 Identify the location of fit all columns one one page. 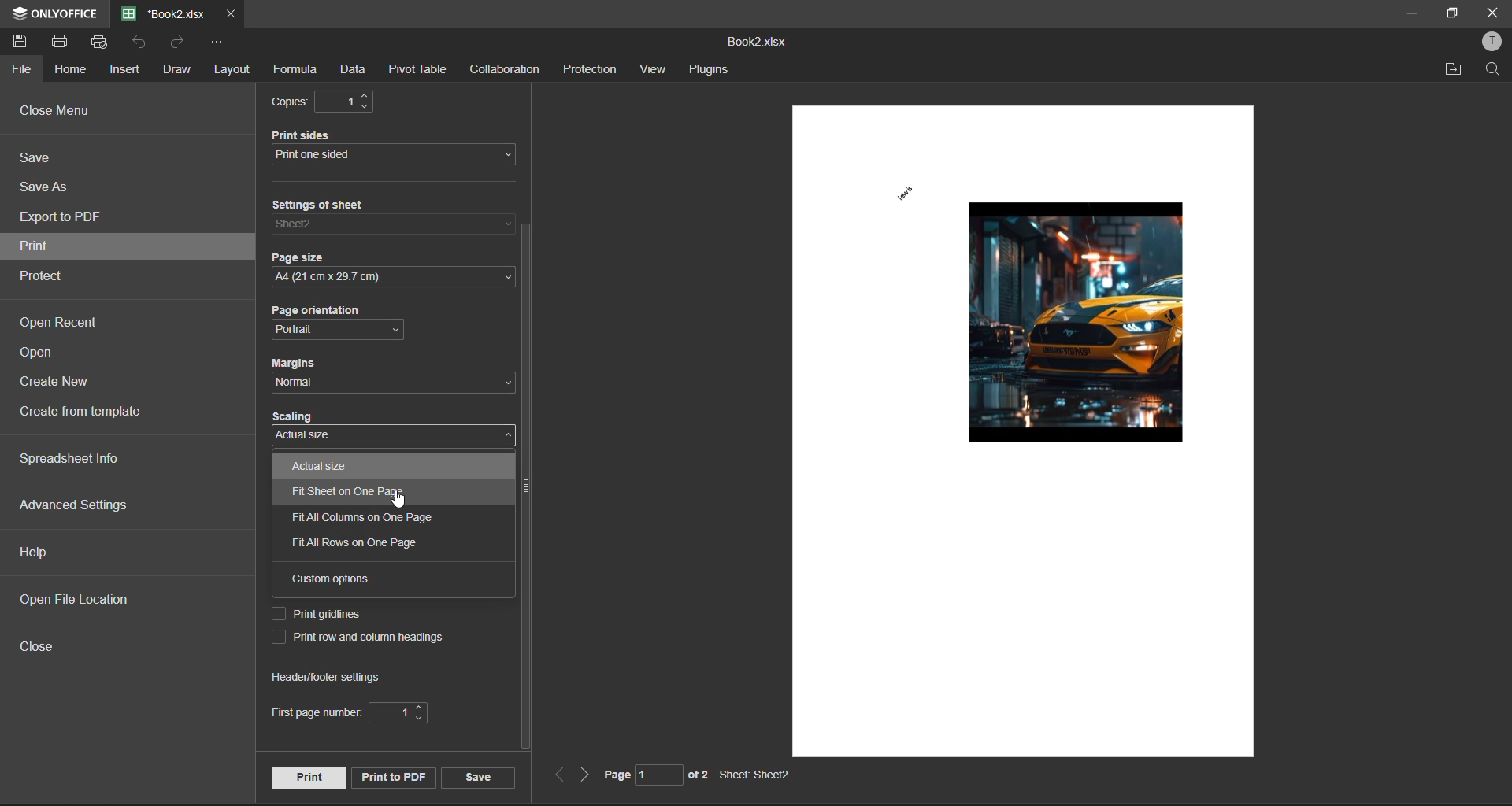
(362, 520).